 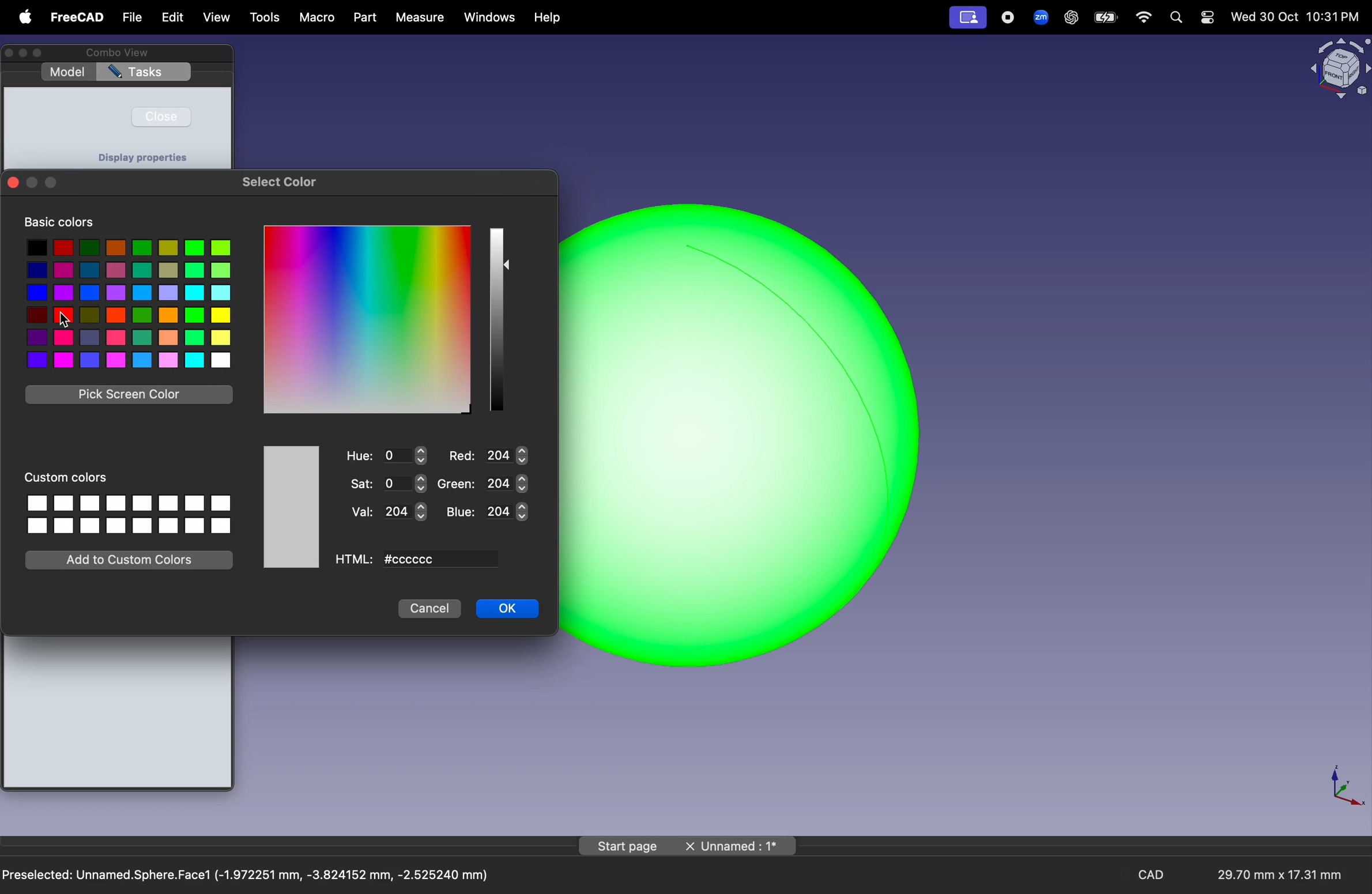 What do you see at coordinates (487, 455) in the screenshot?
I see `red` at bounding box center [487, 455].